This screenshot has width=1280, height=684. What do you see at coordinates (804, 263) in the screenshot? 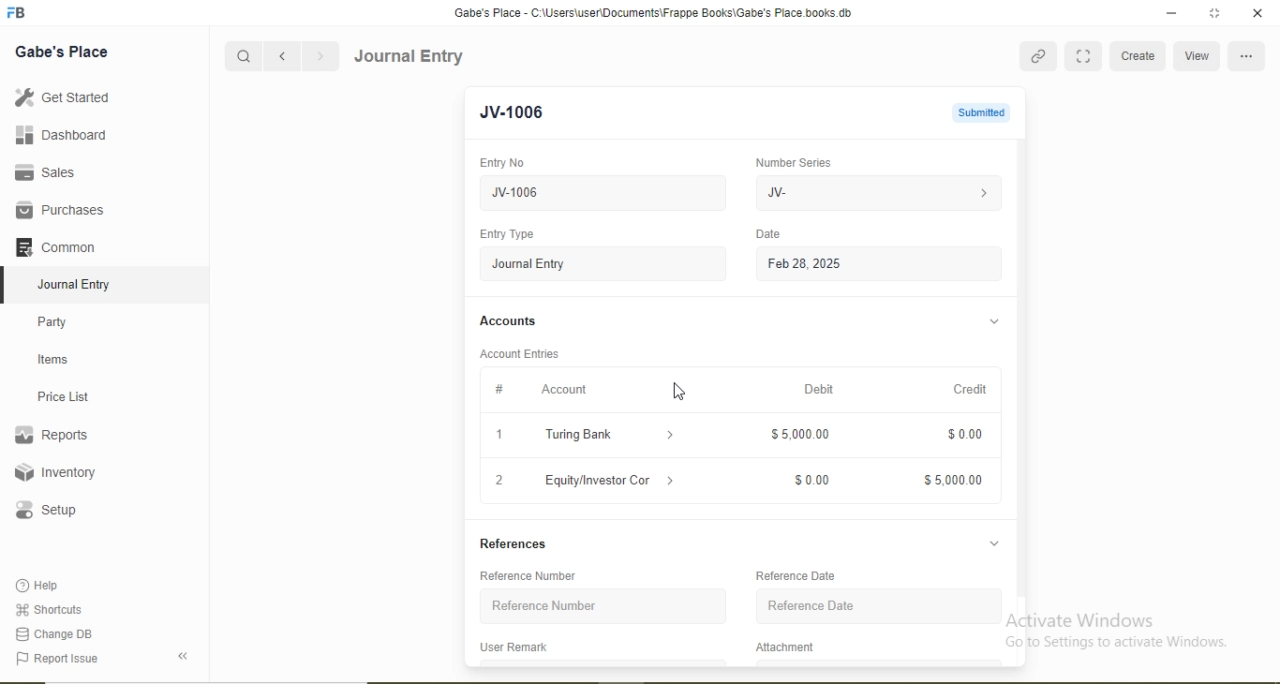
I see `Feb 28, 2025` at bounding box center [804, 263].